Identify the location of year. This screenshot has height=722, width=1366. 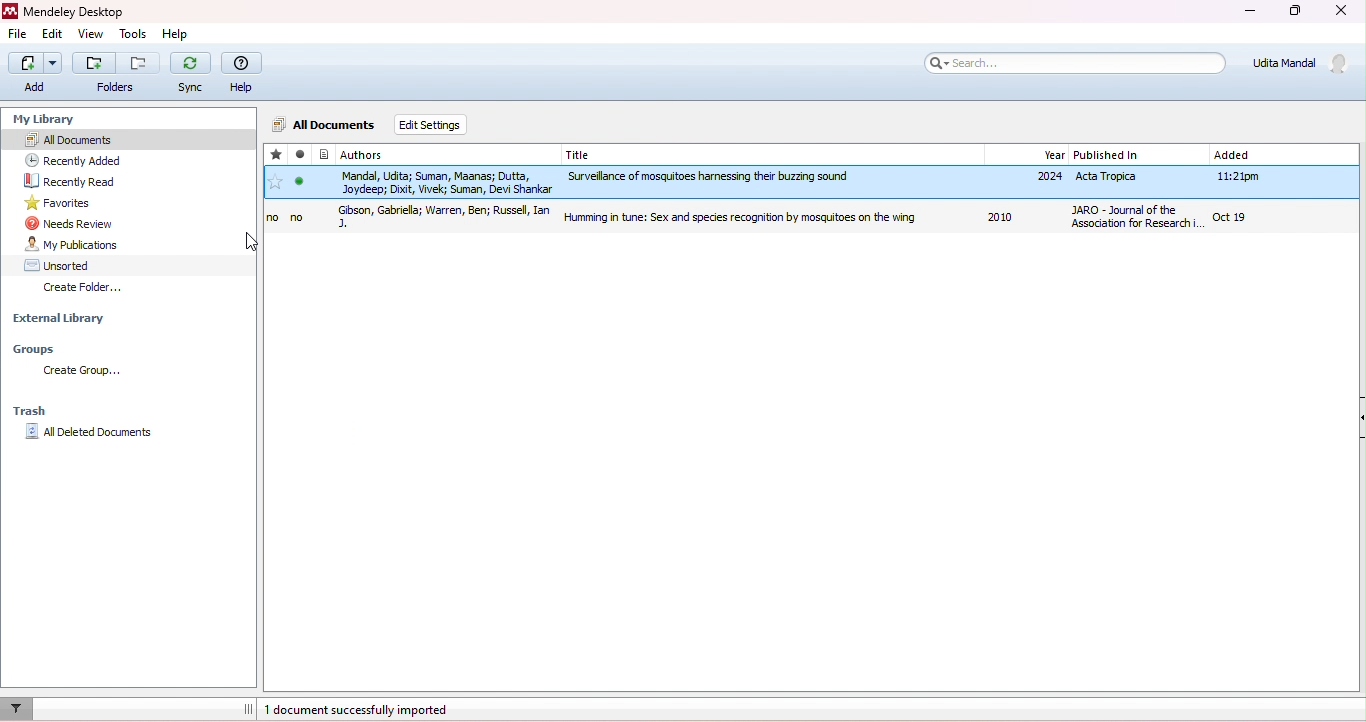
(1048, 156).